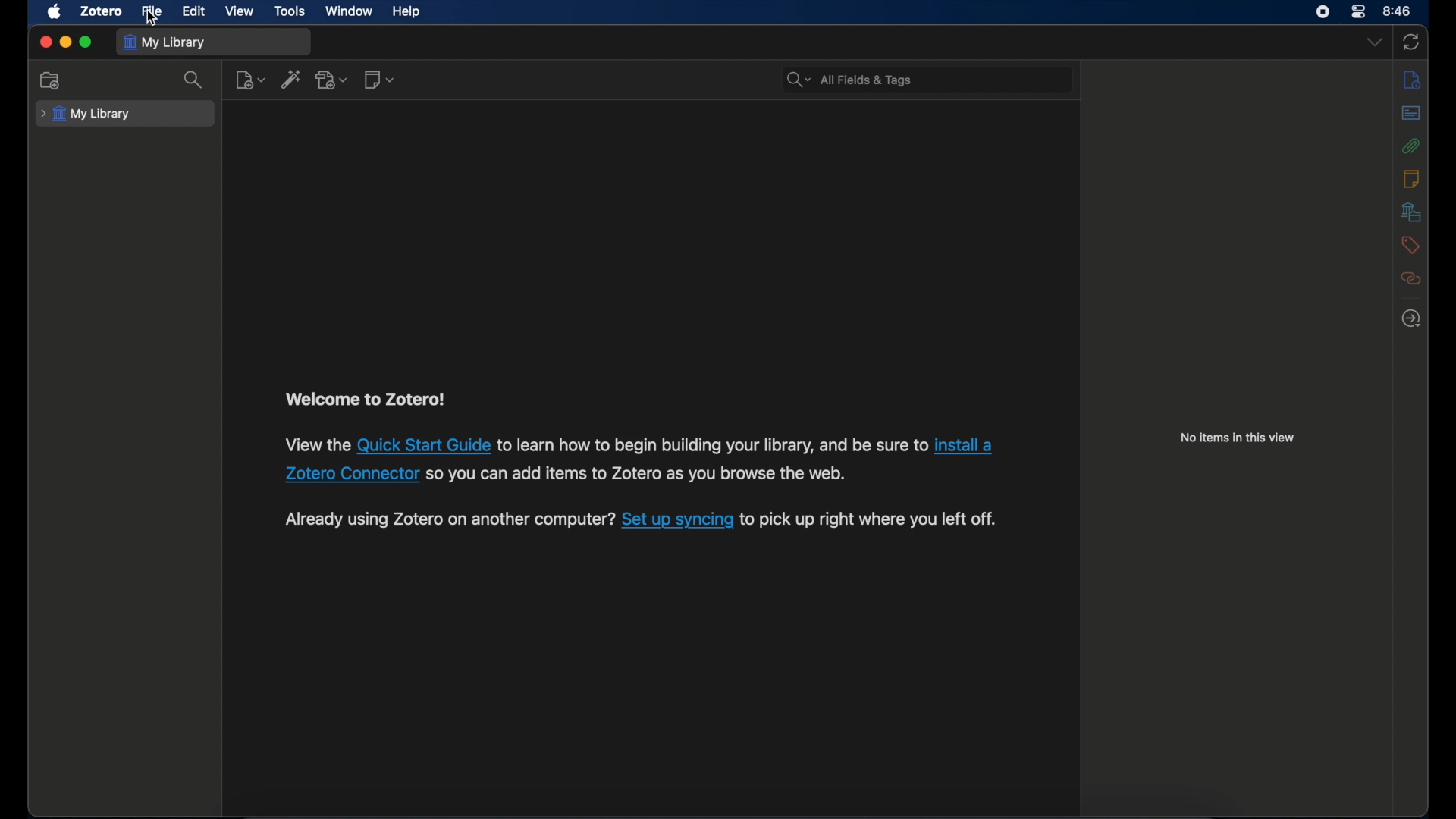 Image resolution: width=1456 pixels, height=819 pixels. I want to click on notes, so click(1410, 178).